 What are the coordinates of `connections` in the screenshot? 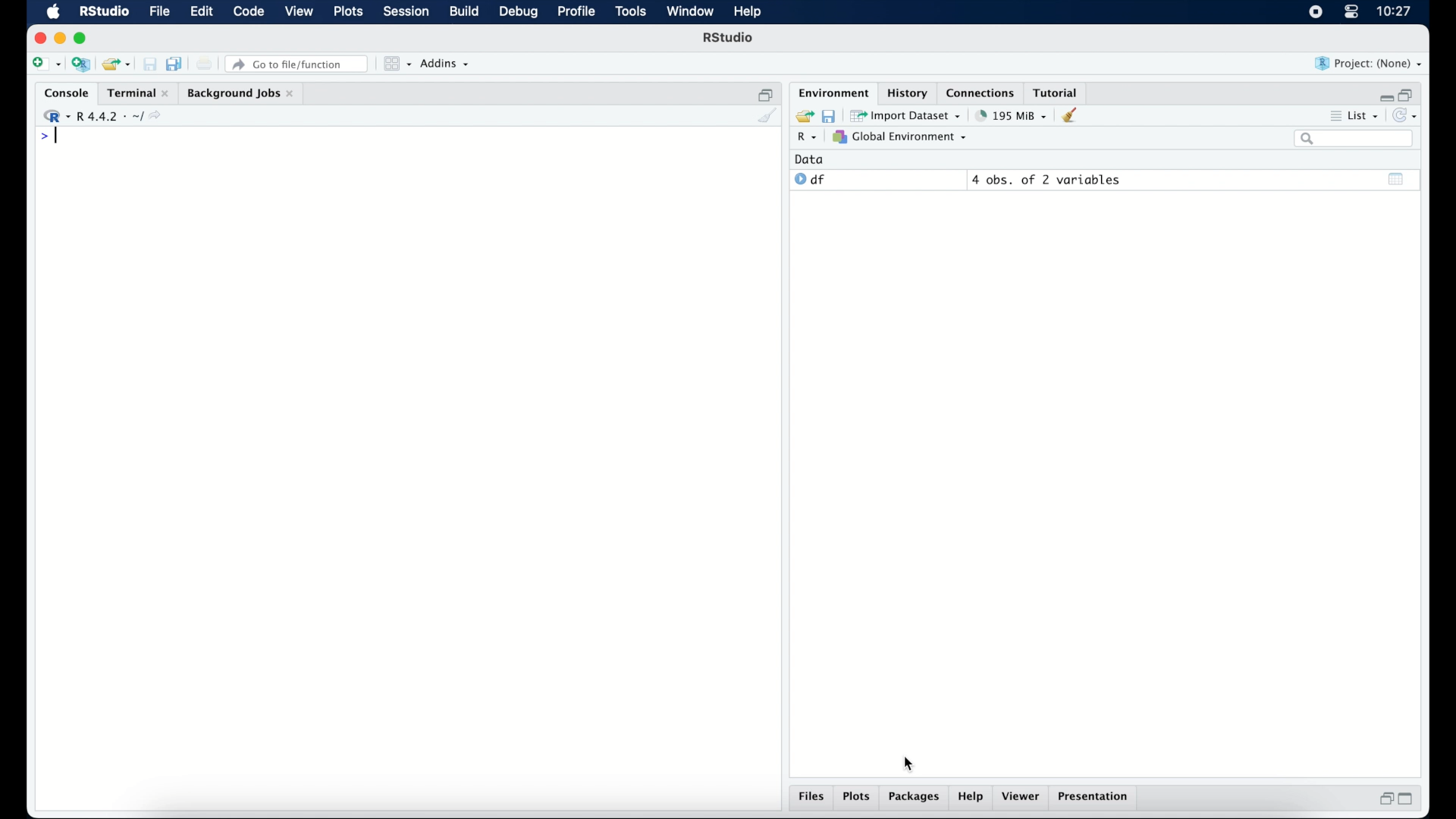 It's located at (982, 92).